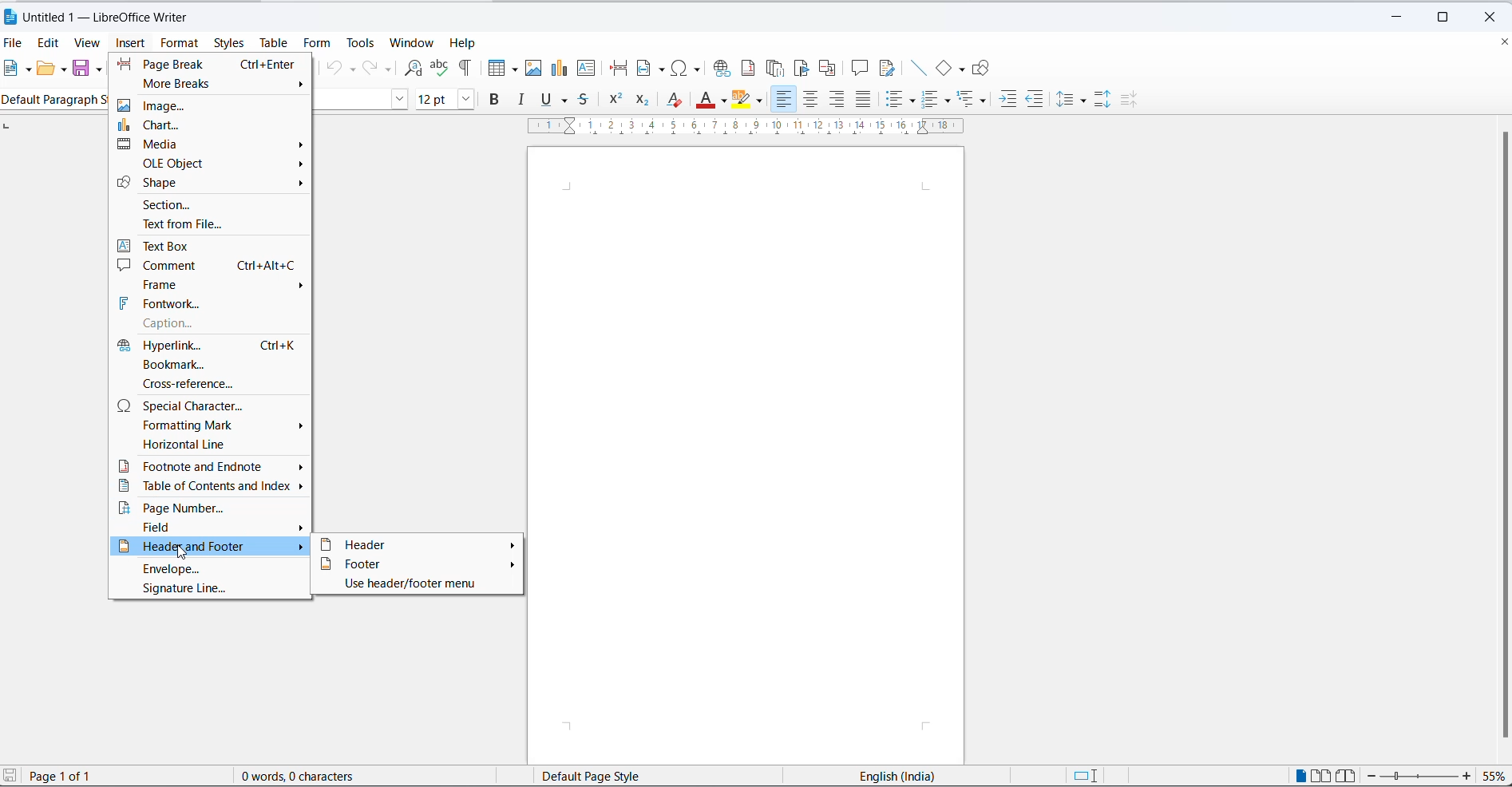 This screenshot has width=1512, height=787. Describe the element at coordinates (675, 99) in the screenshot. I see `clear direct formatting` at that location.